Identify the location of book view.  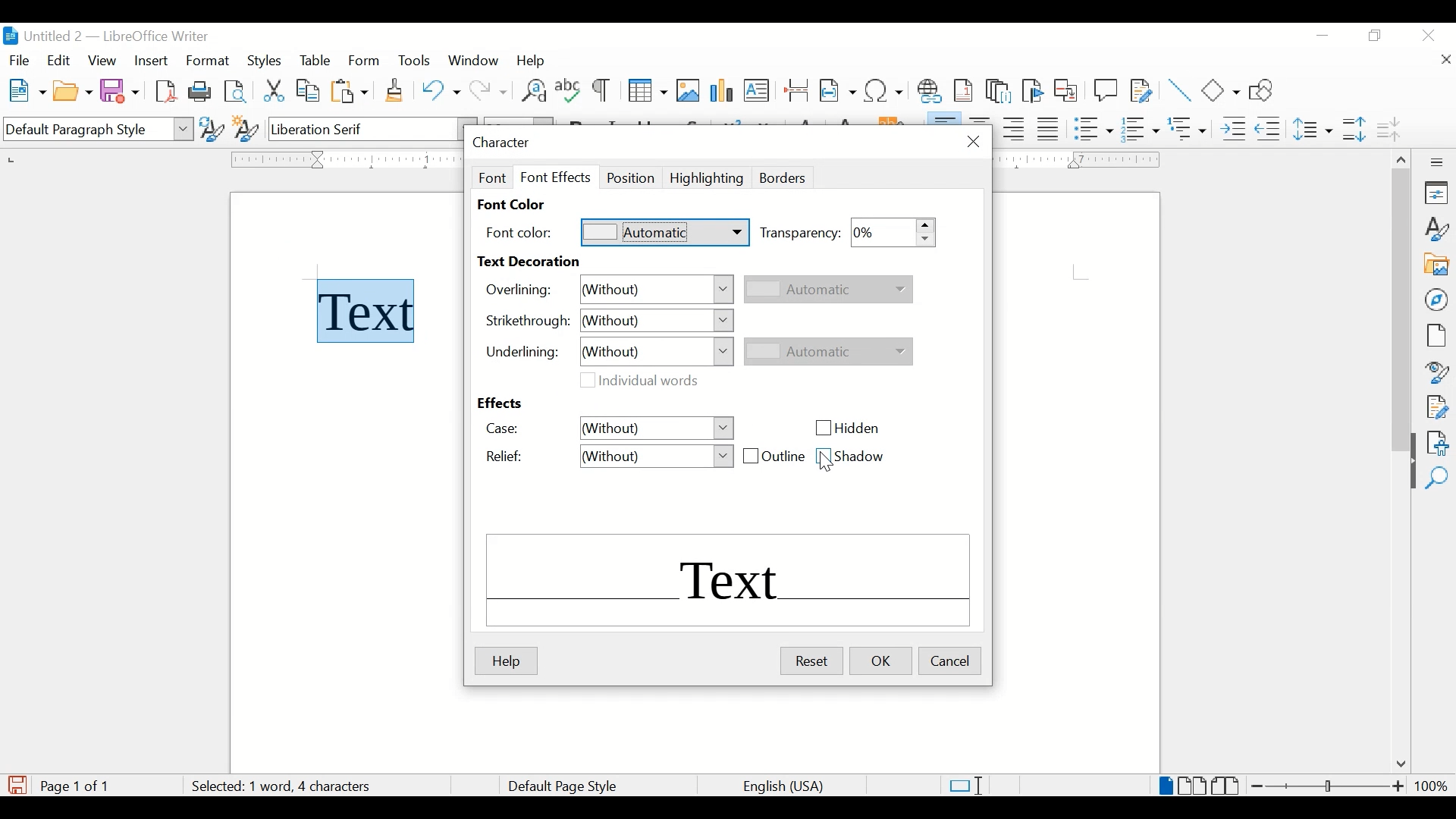
(1228, 786).